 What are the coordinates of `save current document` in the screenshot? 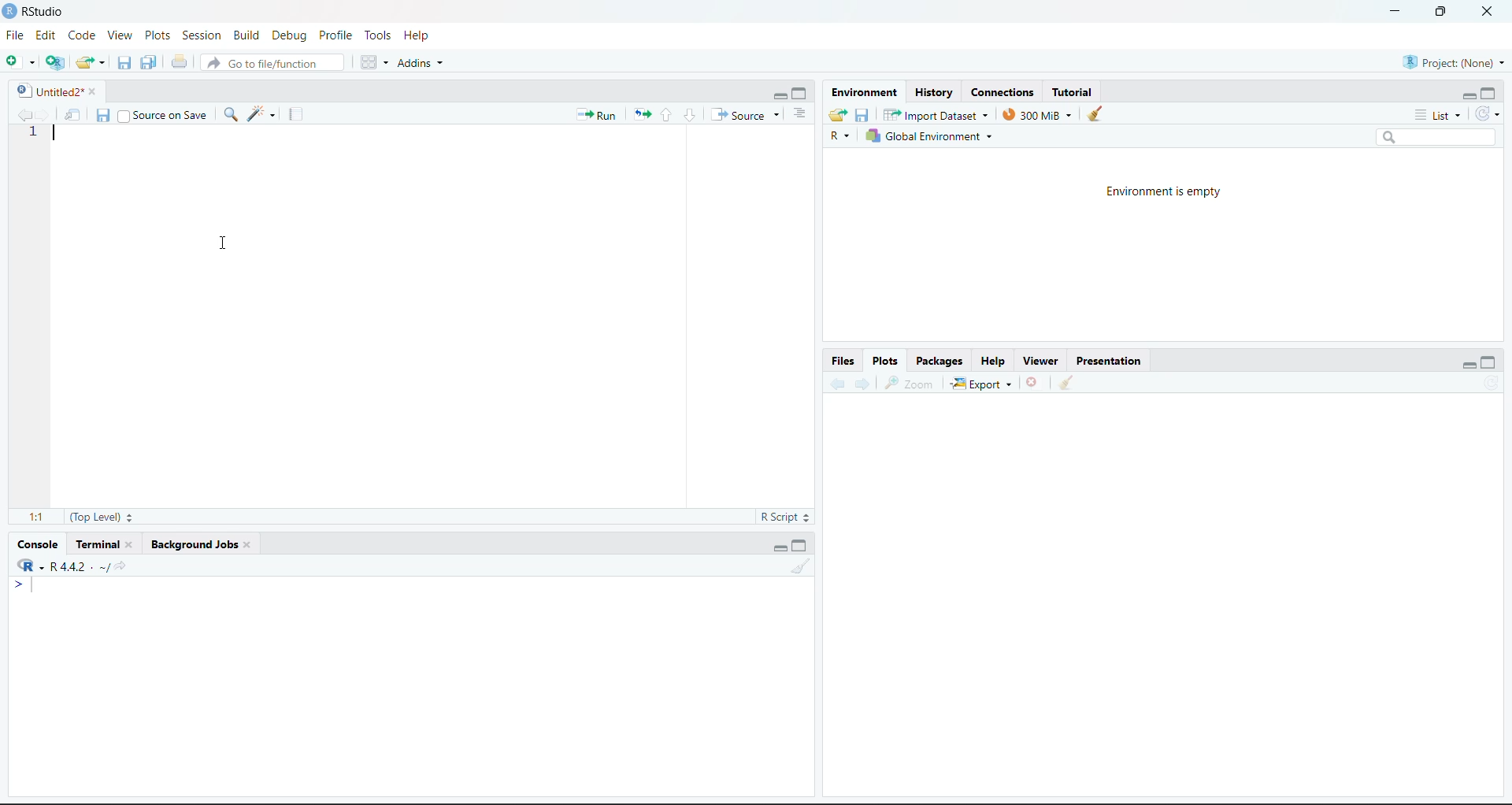 It's located at (121, 64).